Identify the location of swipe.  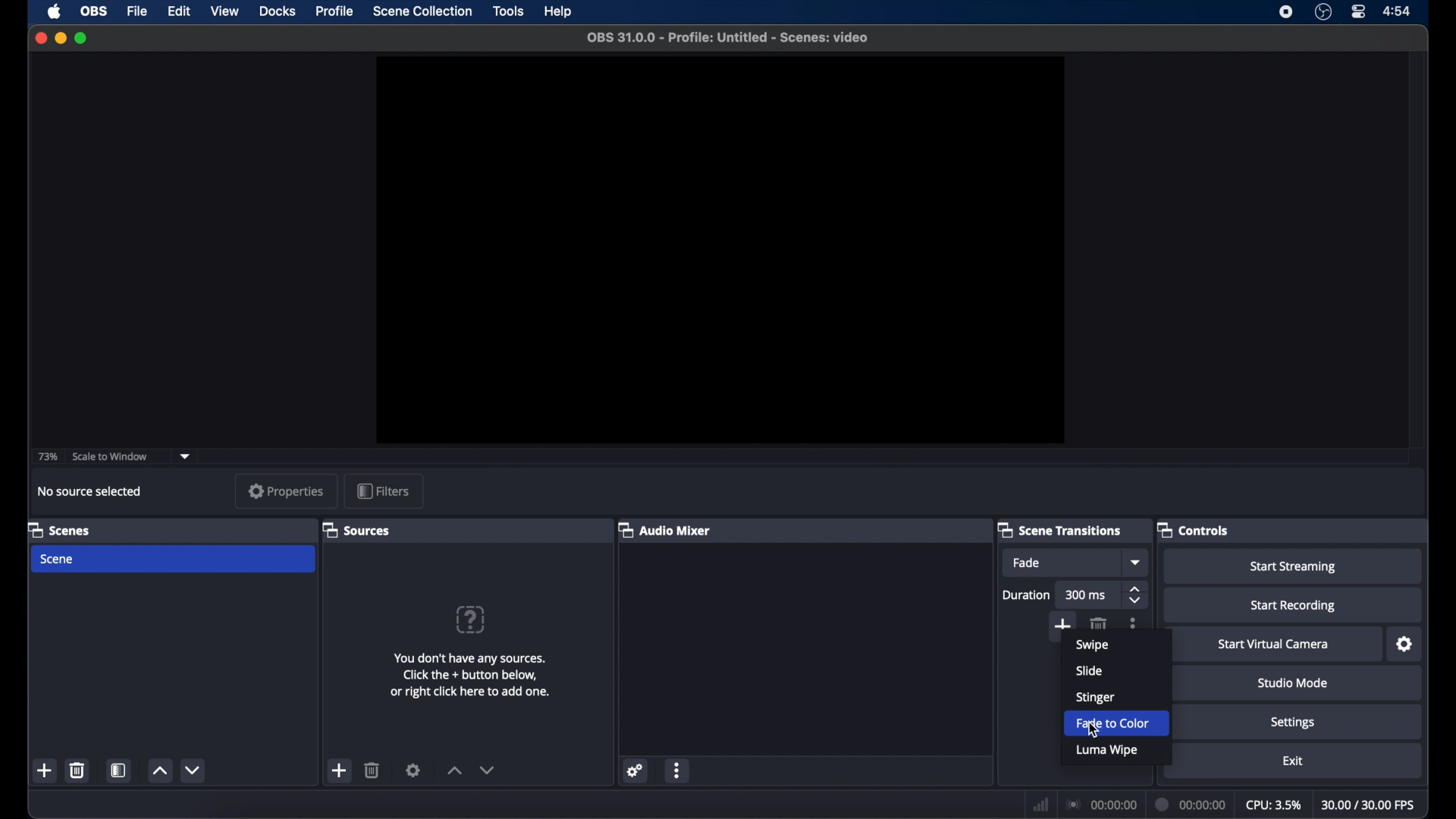
(1094, 646).